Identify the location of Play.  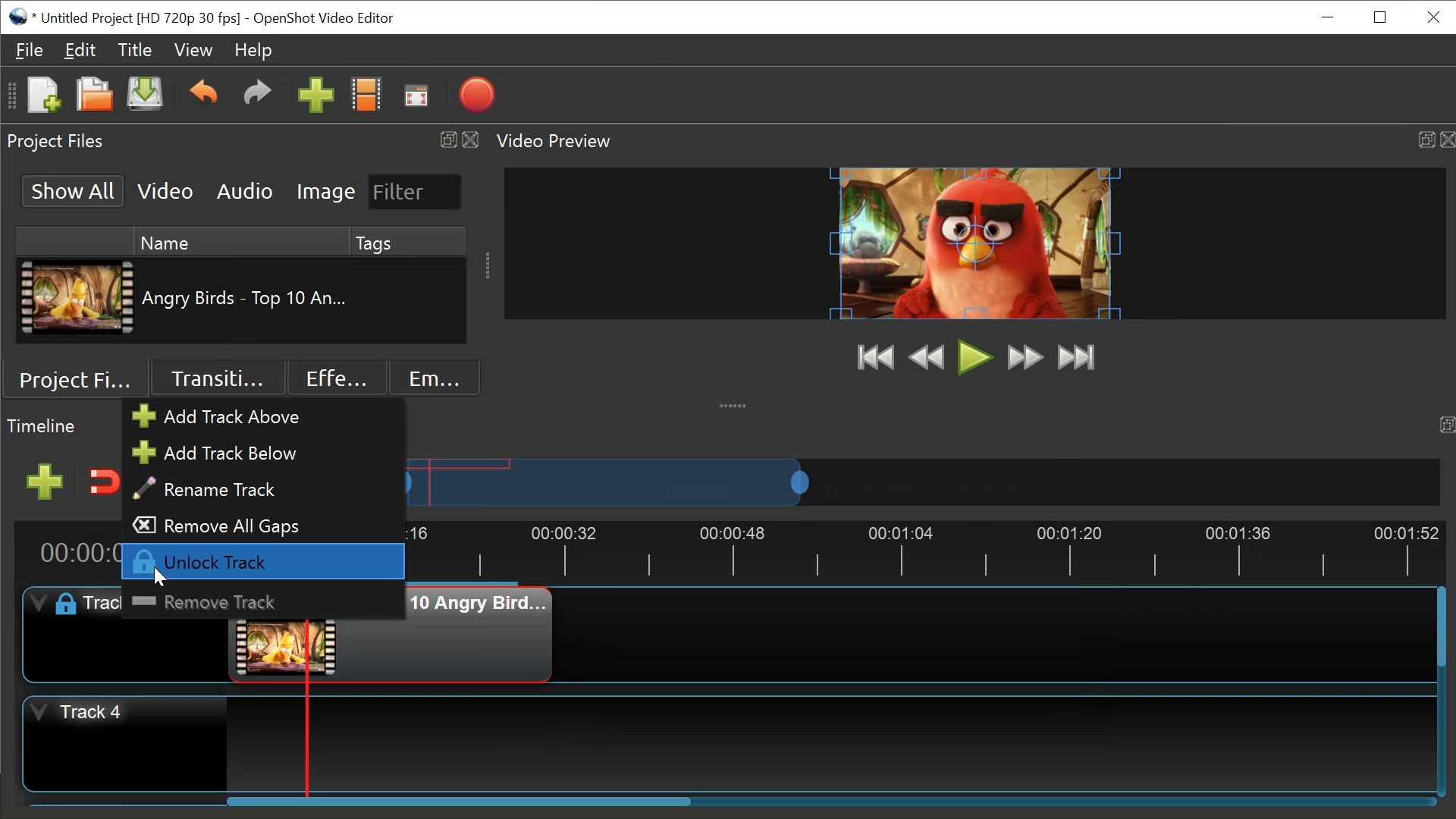
(975, 357).